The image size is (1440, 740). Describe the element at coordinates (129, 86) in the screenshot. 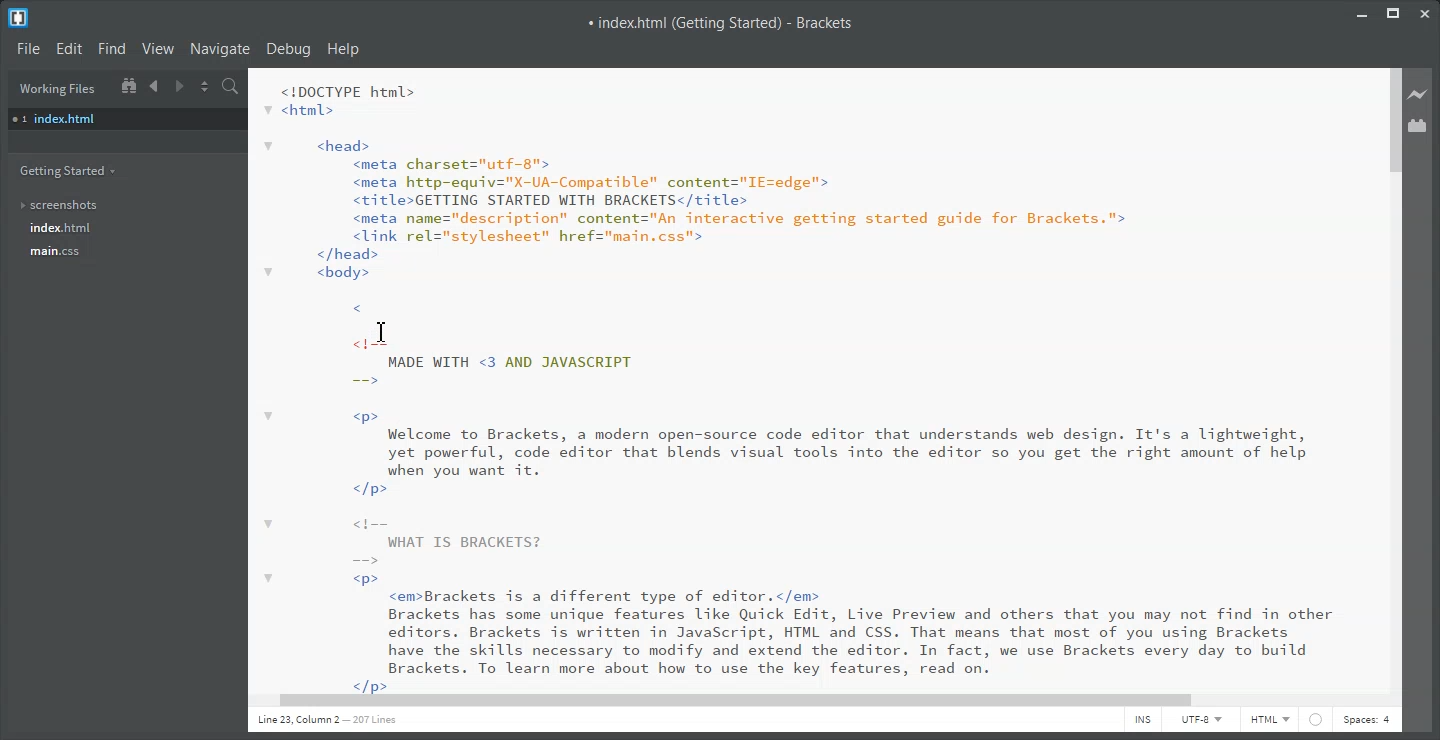

I see `Show in the File Tree` at that location.